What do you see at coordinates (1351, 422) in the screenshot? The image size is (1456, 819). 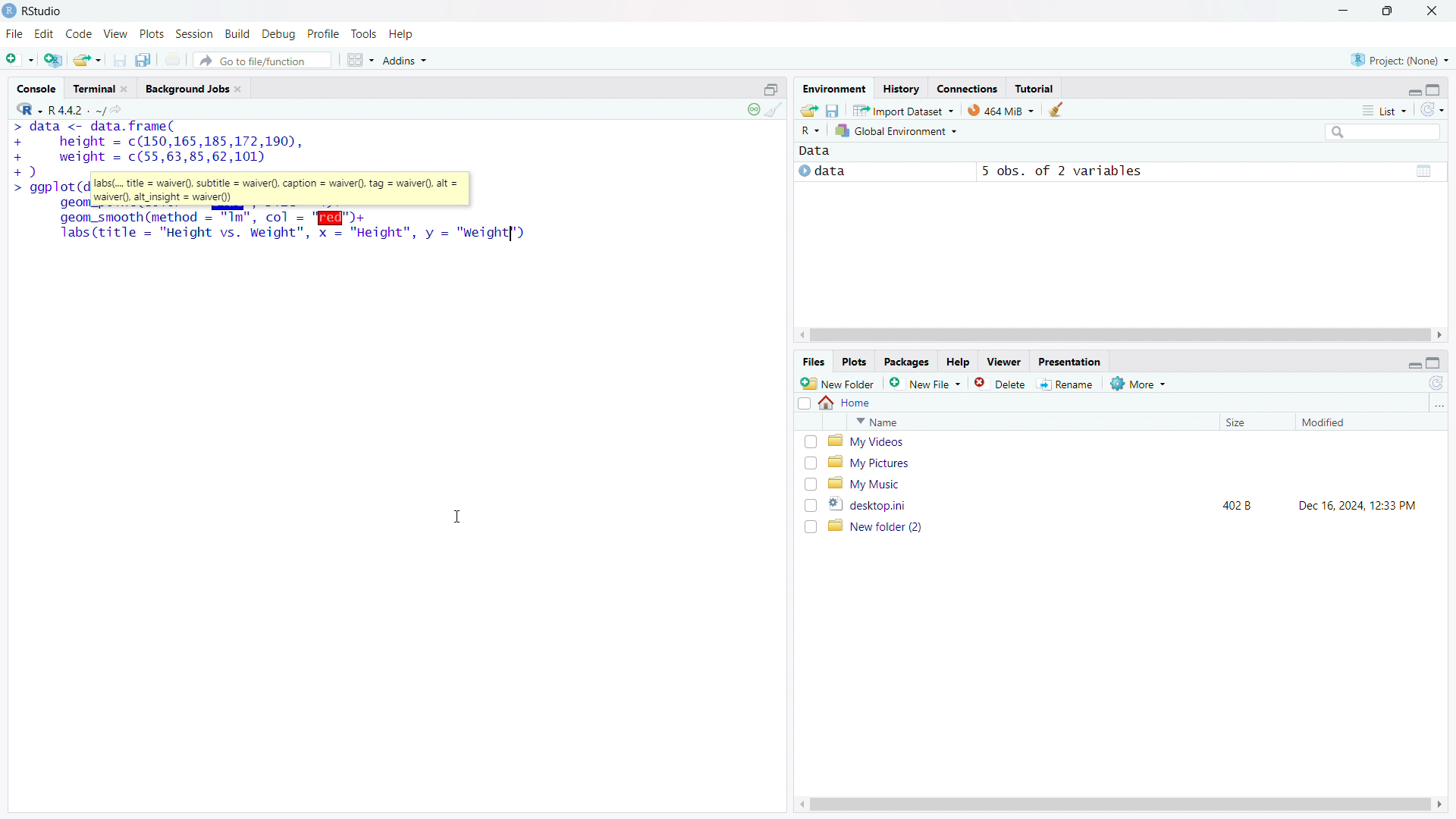 I see `modified` at bounding box center [1351, 422].